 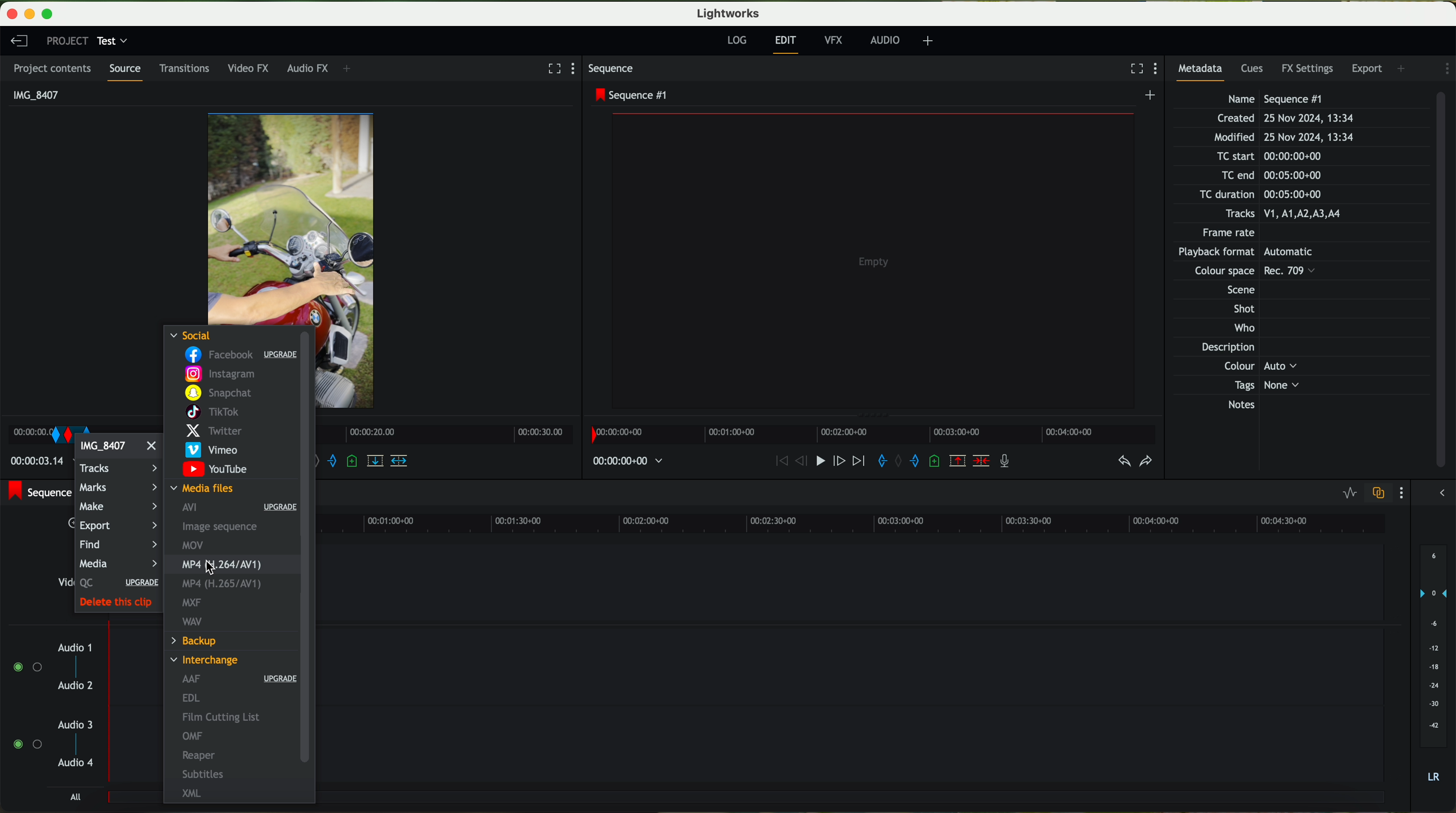 I want to click on AAF, so click(x=239, y=680).